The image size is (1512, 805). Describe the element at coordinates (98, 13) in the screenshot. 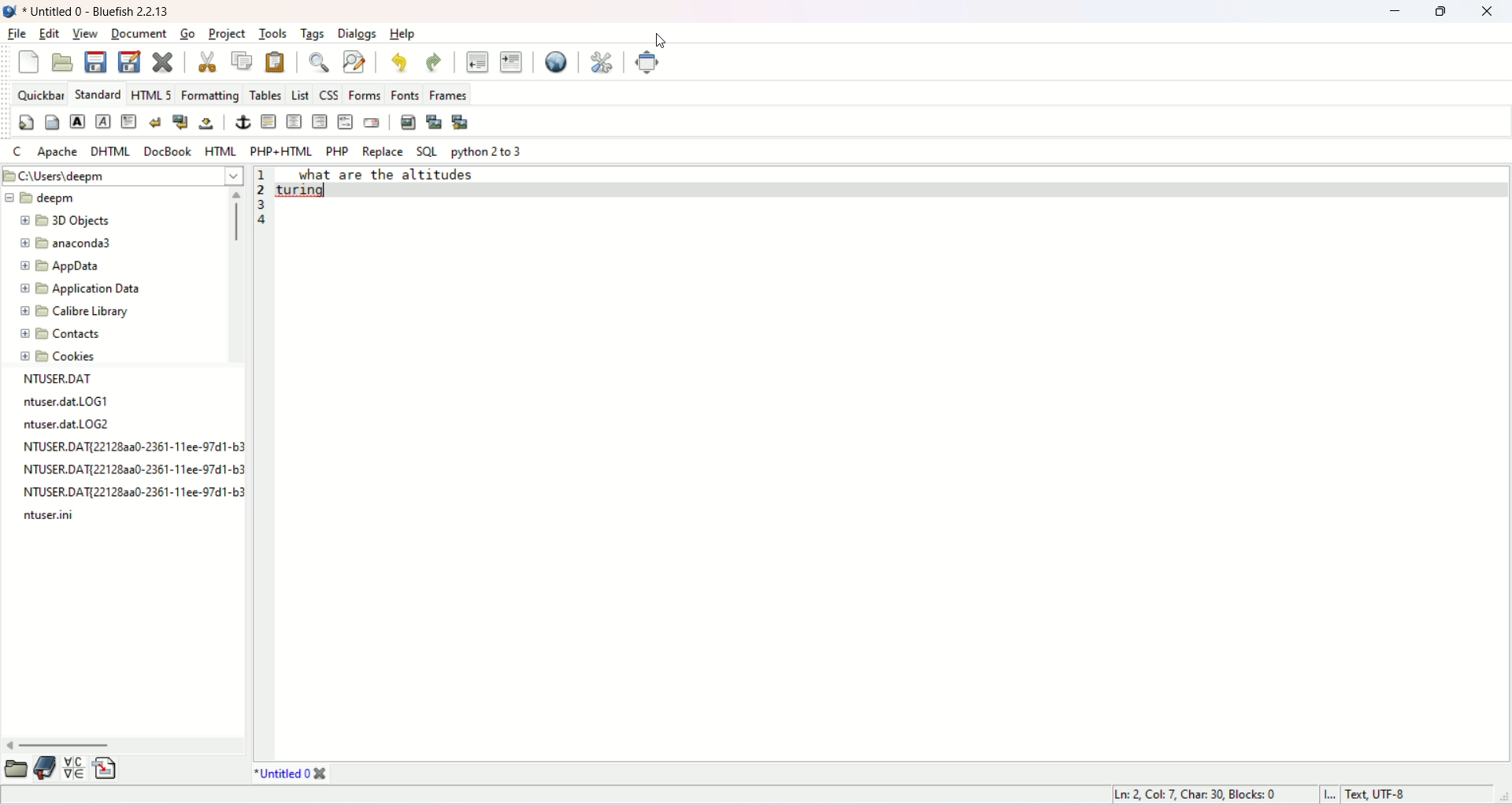

I see `title` at that location.